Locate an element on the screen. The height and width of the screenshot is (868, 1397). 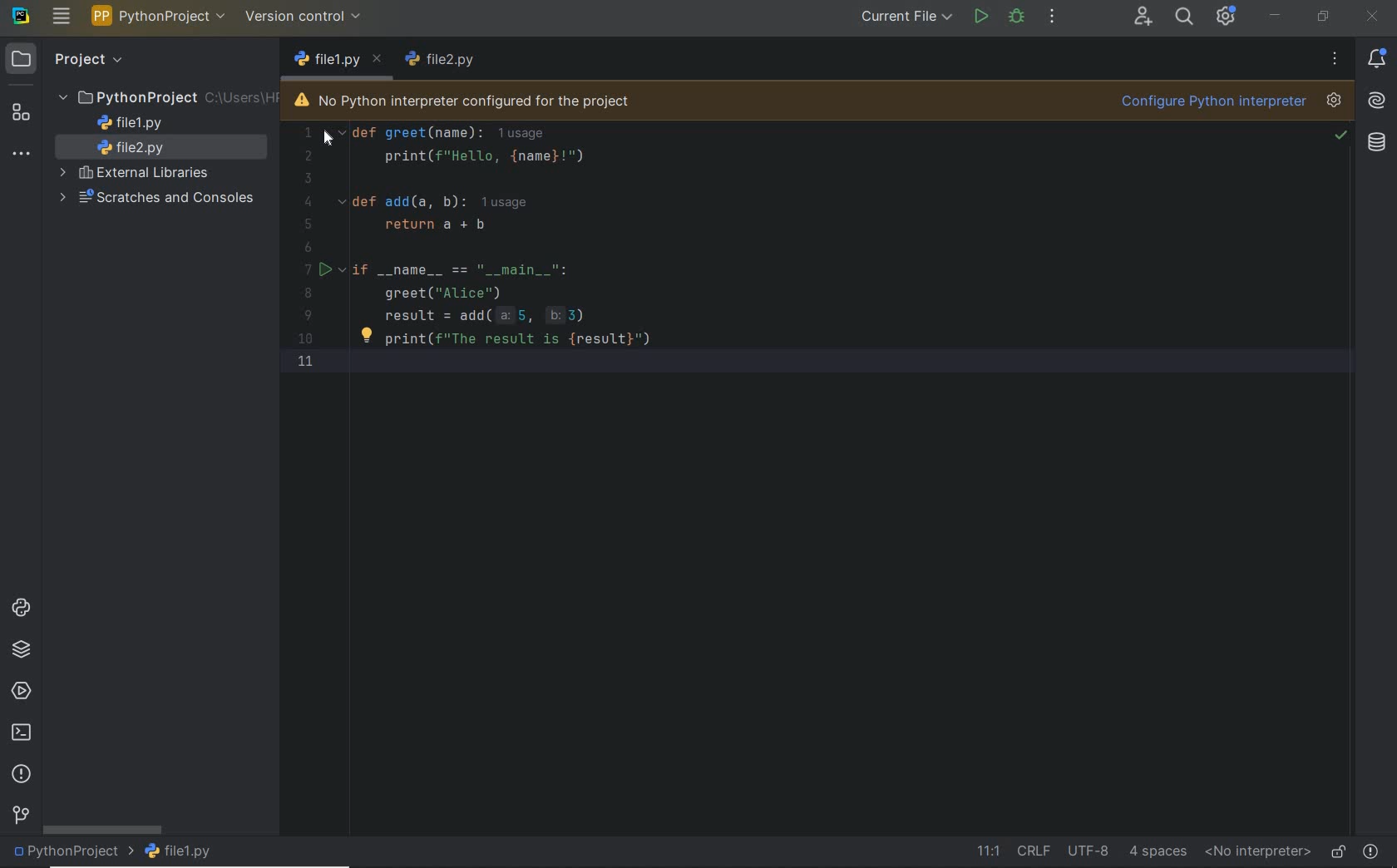
run is located at coordinates (981, 15).